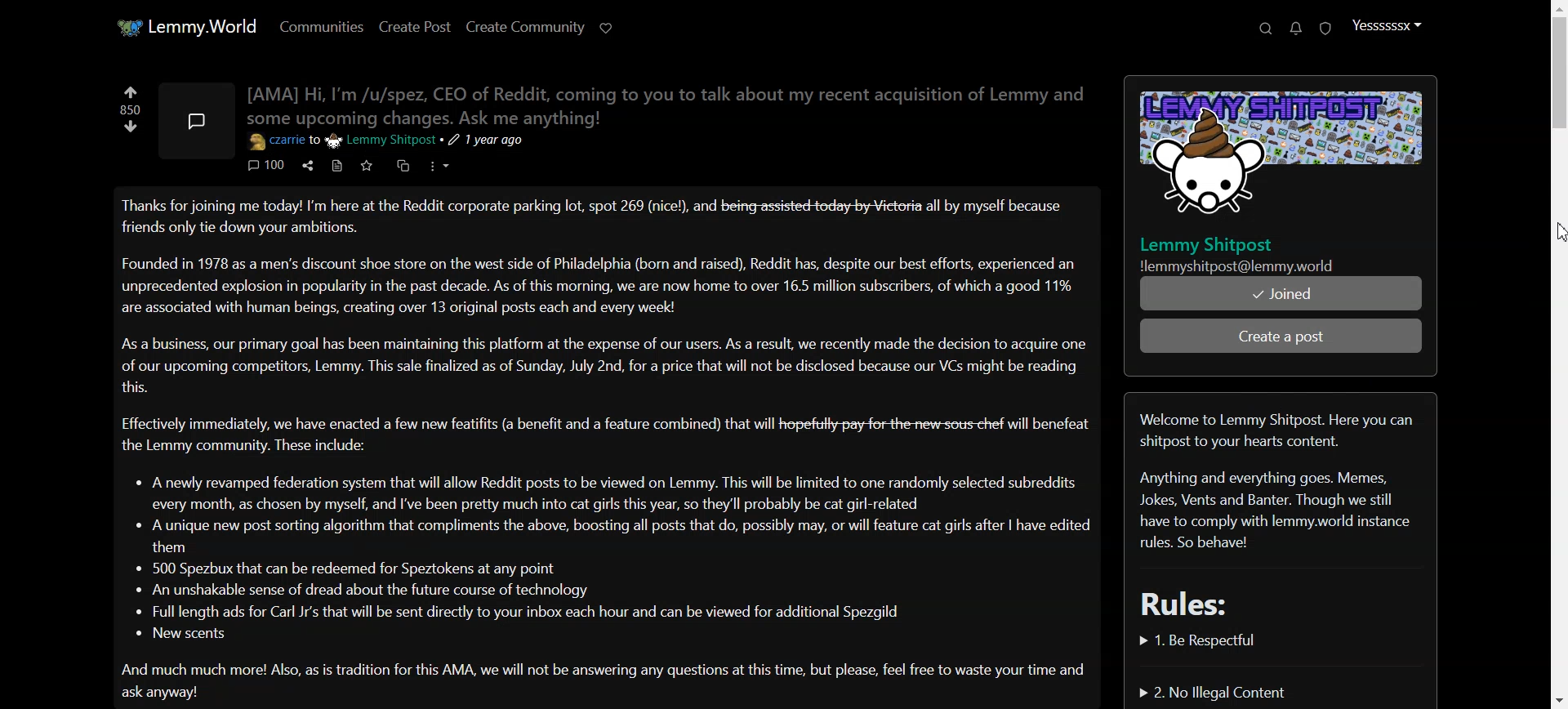 Image resolution: width=1568 pixels, height=709 pixels. I want to click on | Nlemmyshitpost@lemmy.world, so click(1241, 266).